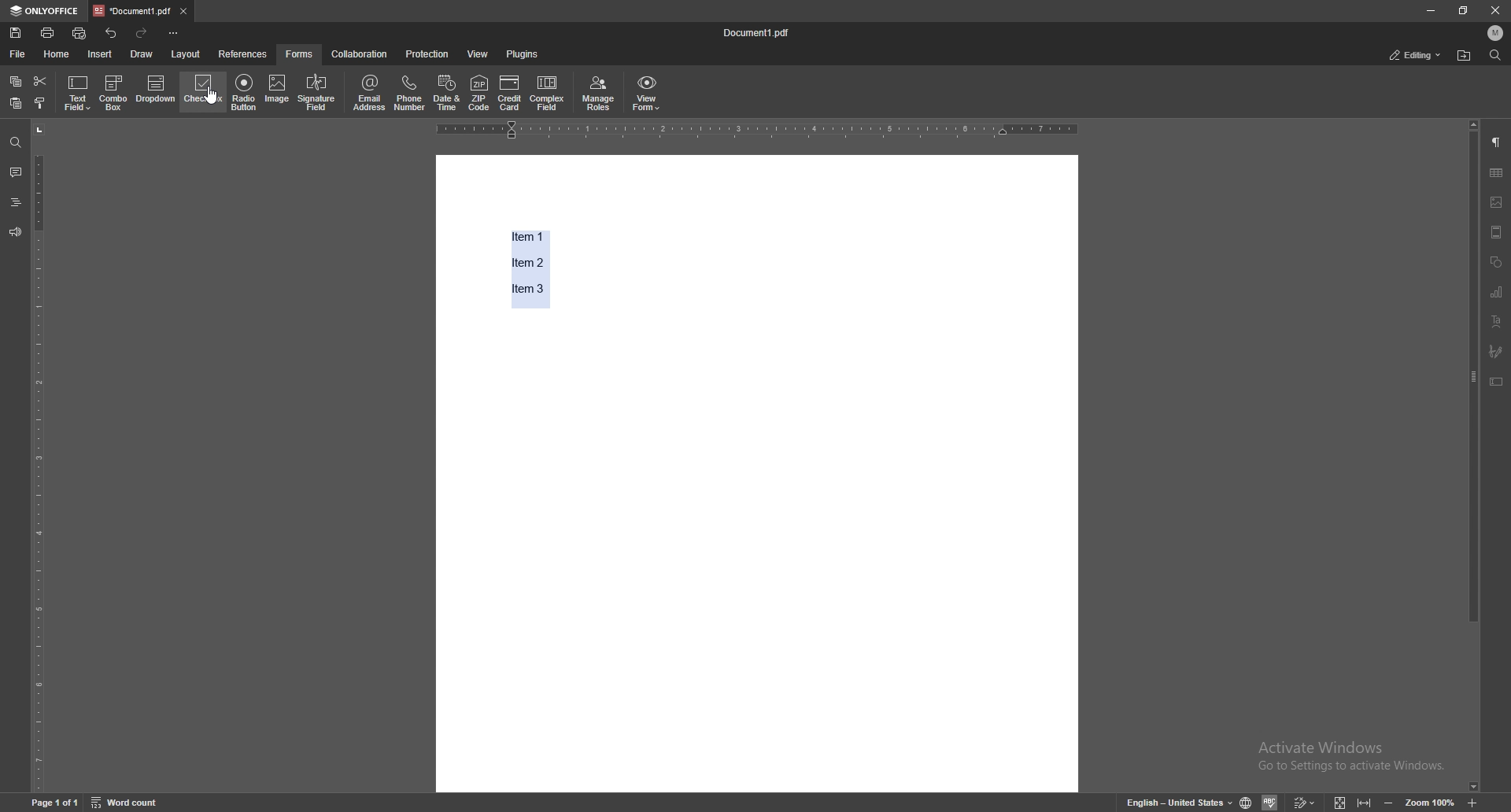 The image size is (1511, 812). What do you see at coordinates (1497, 172) in the screenshot?
I see `chart` at bounding box center [1497, 172].